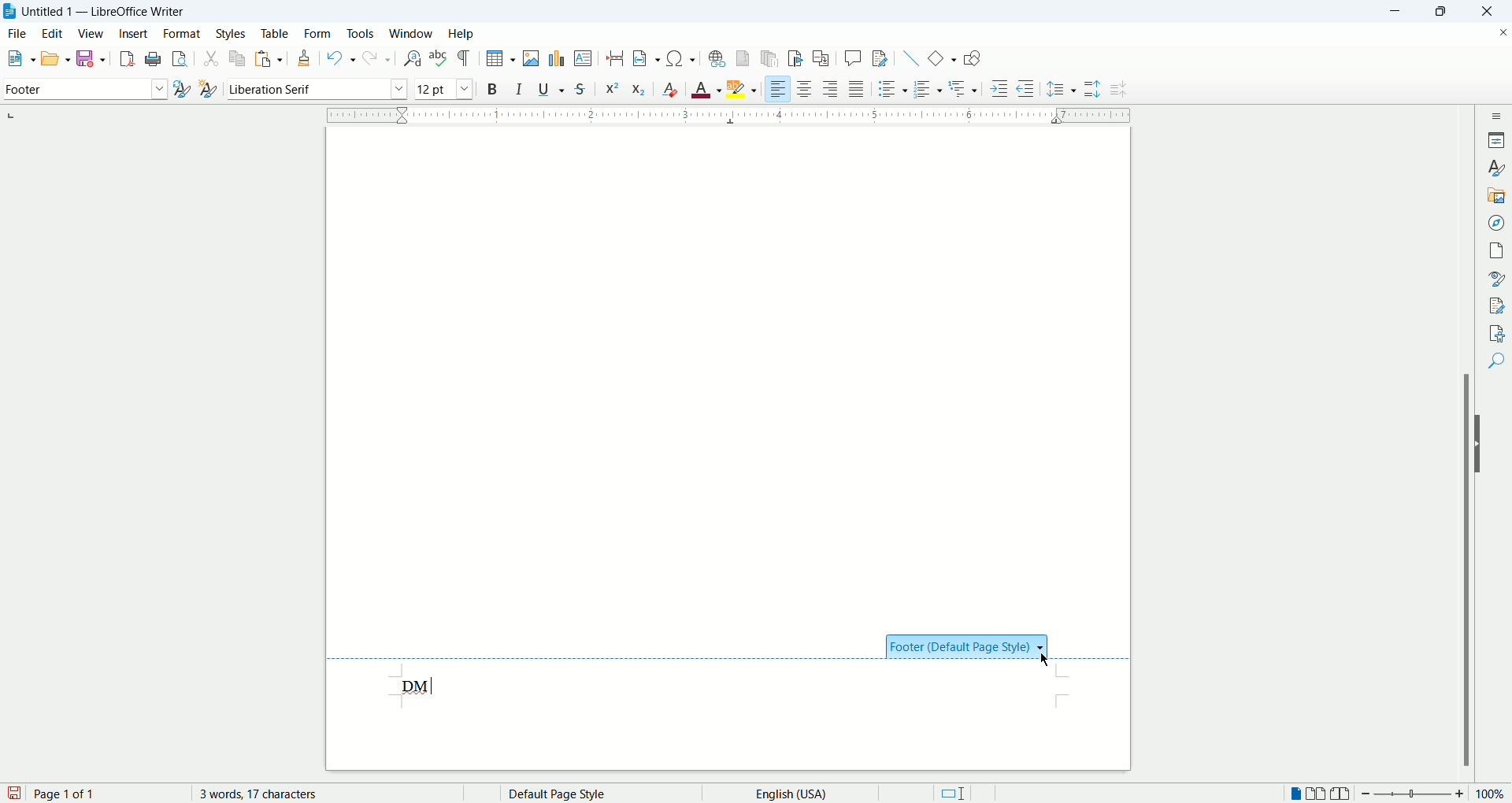 The image size is (1512, 803). What do you see at coordinates (582, 59) in the screenshot?
I see `insert text` at bounding box center [582, 59].